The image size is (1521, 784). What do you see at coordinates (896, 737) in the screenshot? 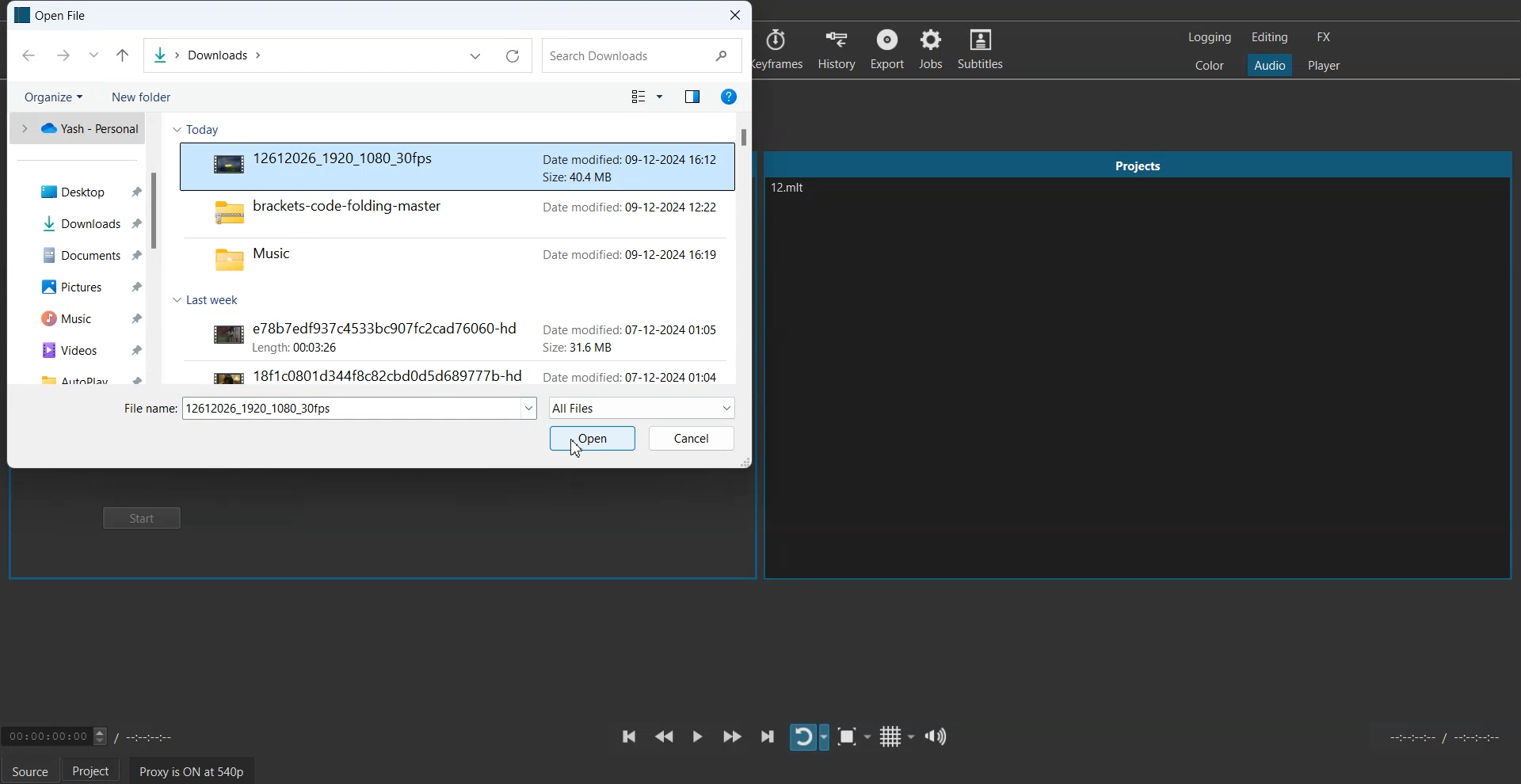
I see `Toggle grid display on the player` at bounding box center [896, 737].